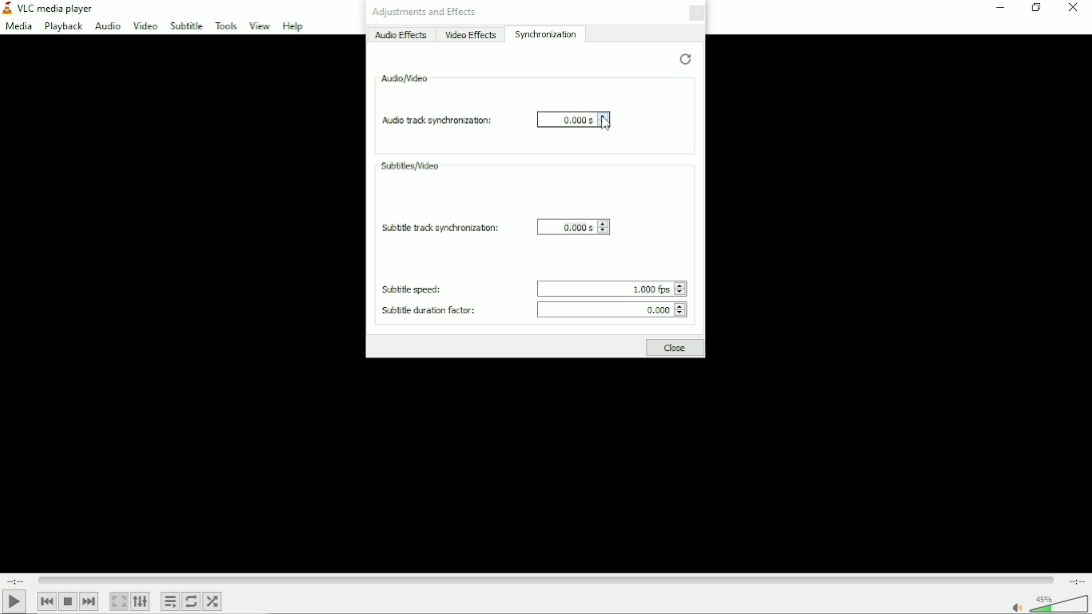 Image resolution: width=1092 pixels, height=614 pixels. What do you see at coordinates (65, 27) in the screenshot?
I see `Playback` at bounding box center [65, 27].